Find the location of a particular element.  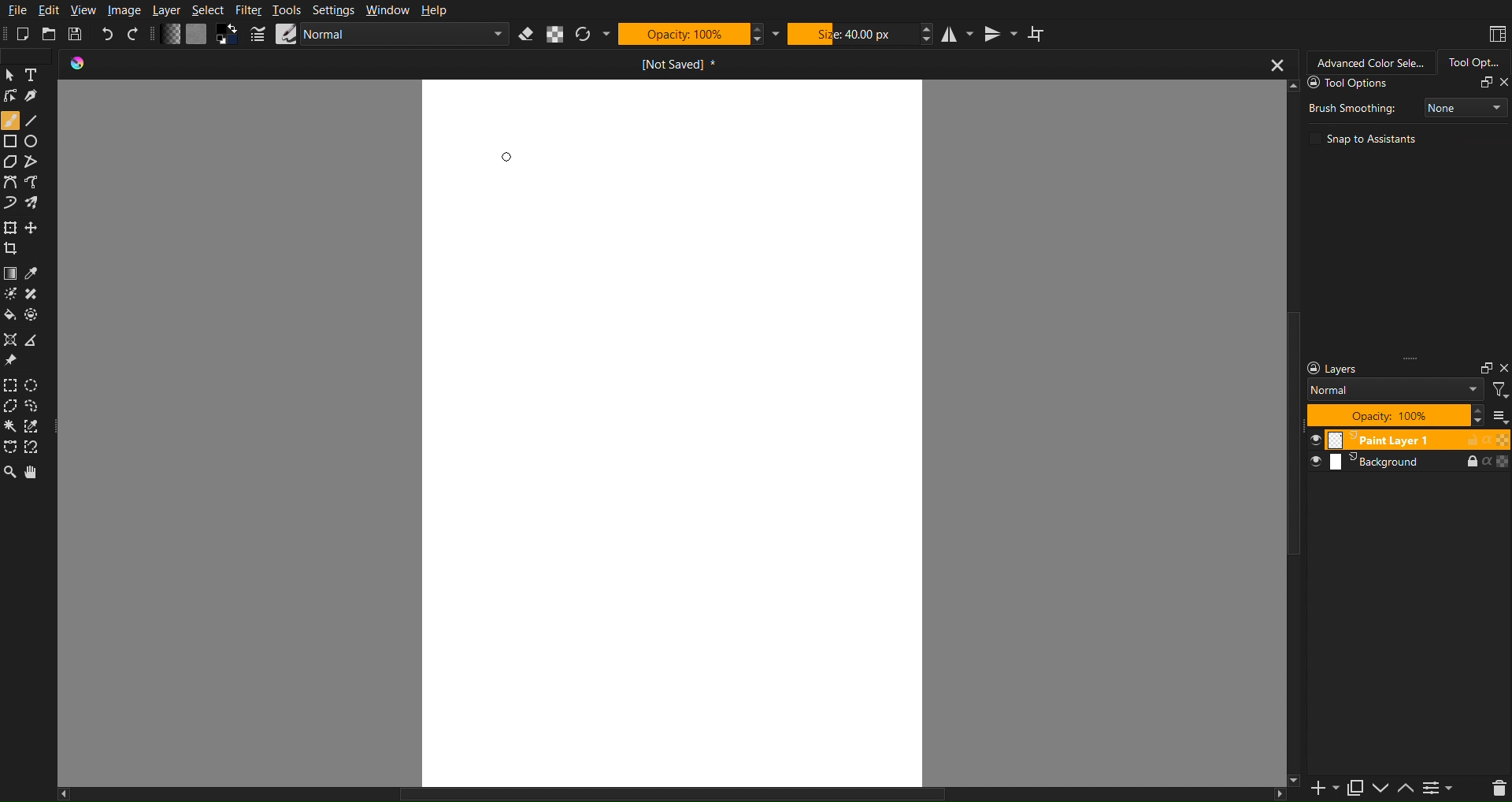

File is located at coordinates (15, 9).